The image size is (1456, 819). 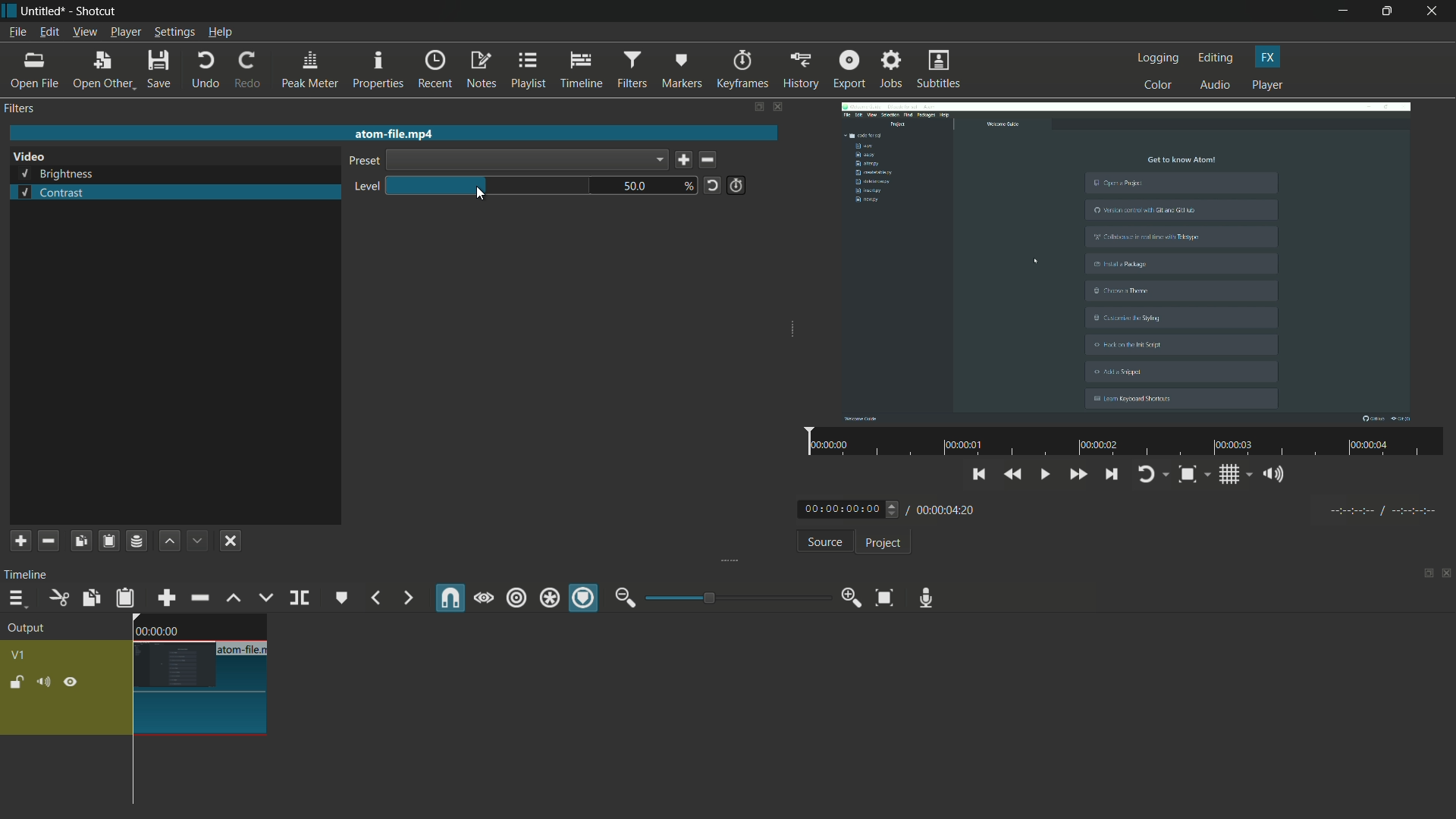 I want to click on video on timeline, so click(x=198, y=674).